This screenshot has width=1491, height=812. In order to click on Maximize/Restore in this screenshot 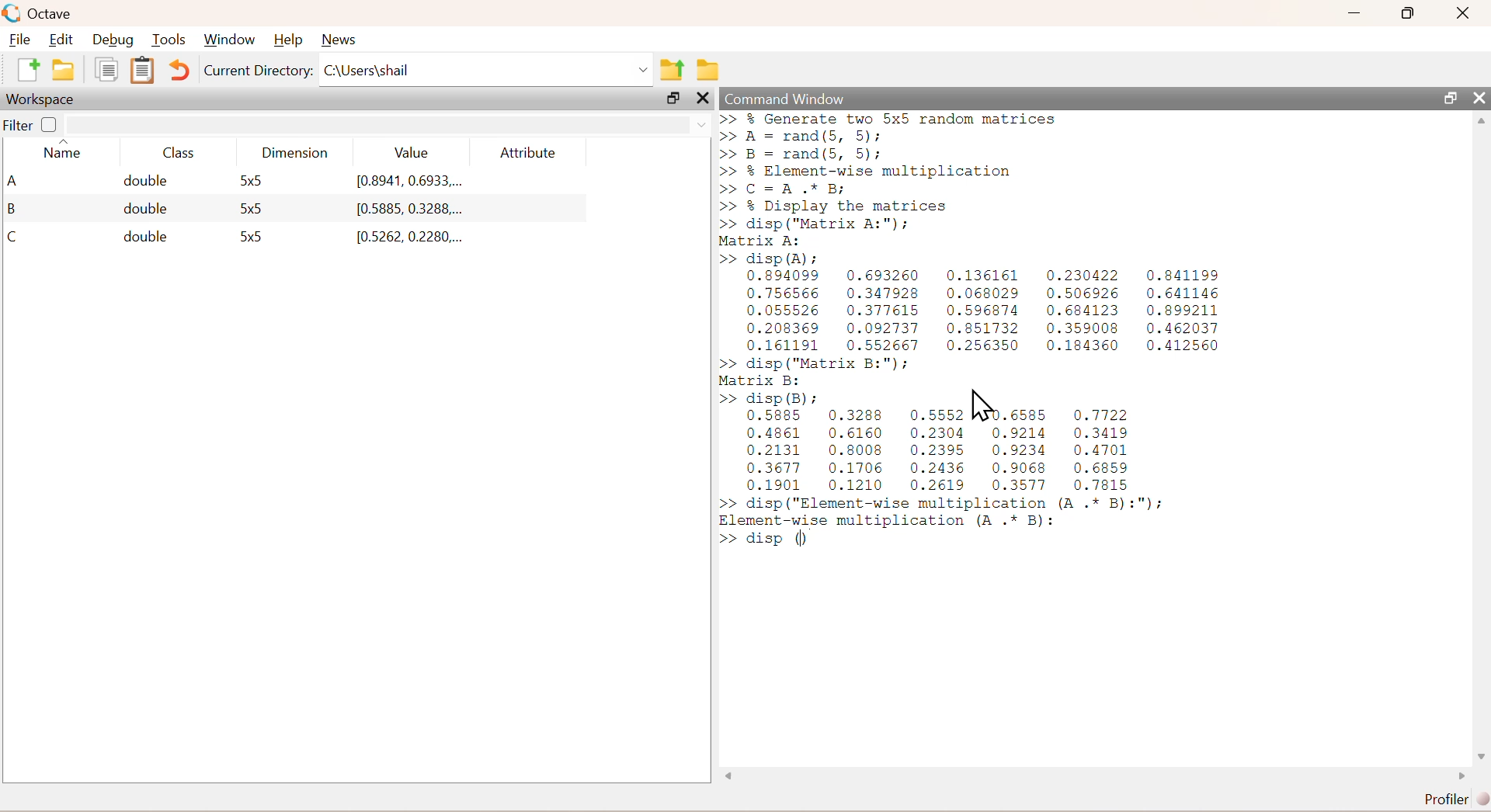, I will do `click(1410, 13)`.